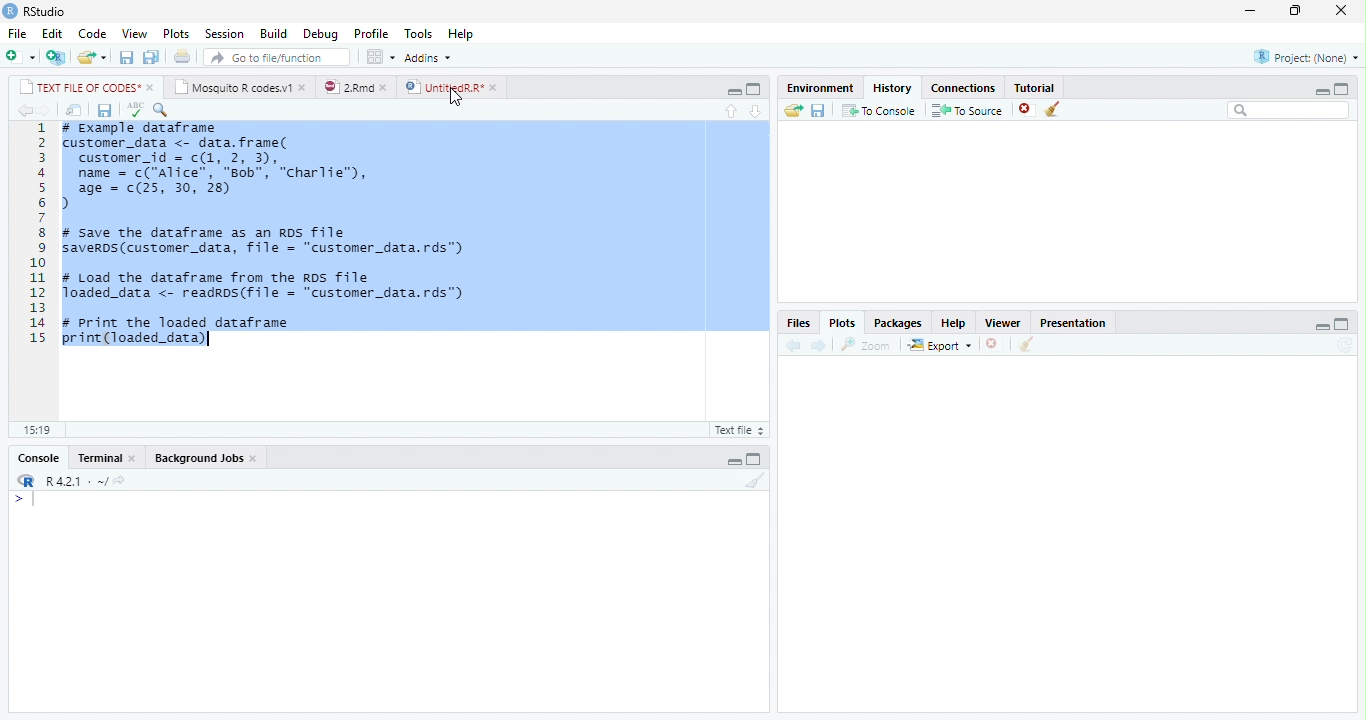 This screenshot has width=1366, height=720. Describe the element at coordinates (162, 110) in the screenshot. I see `search` at that location.